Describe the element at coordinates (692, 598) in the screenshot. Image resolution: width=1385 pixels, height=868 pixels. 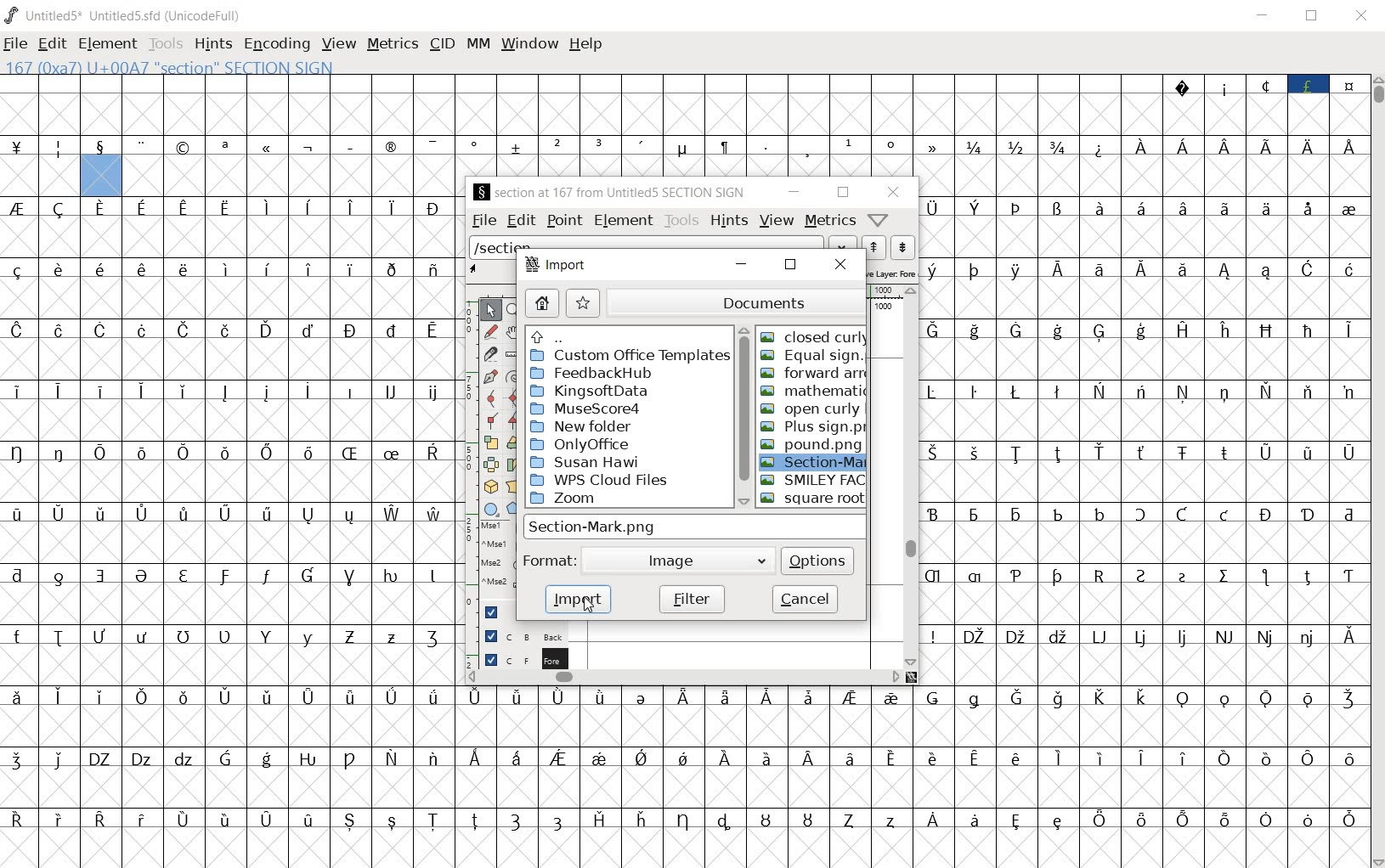
I see `filter` at that location.